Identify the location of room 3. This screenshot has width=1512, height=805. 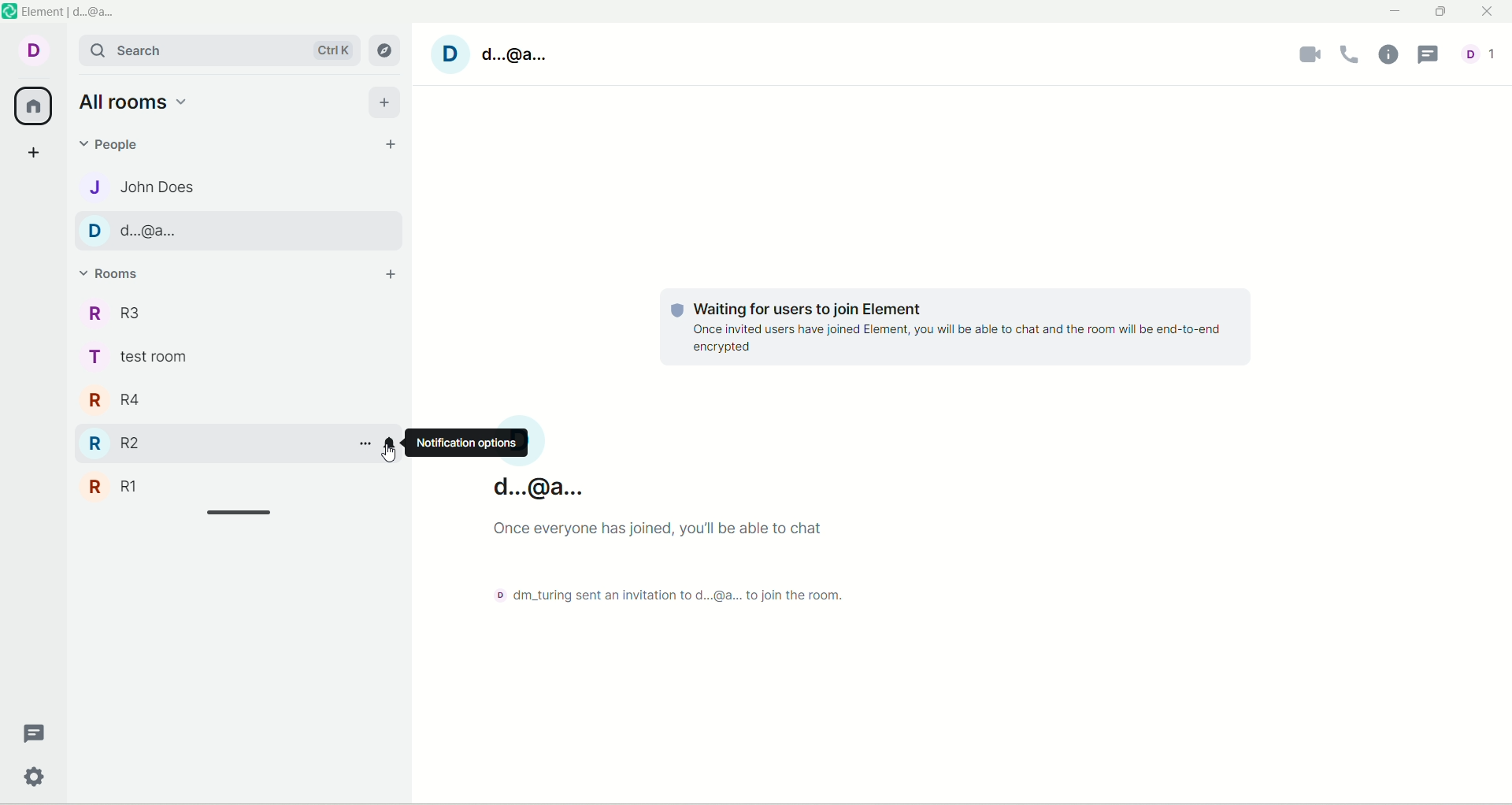
(143, 310).